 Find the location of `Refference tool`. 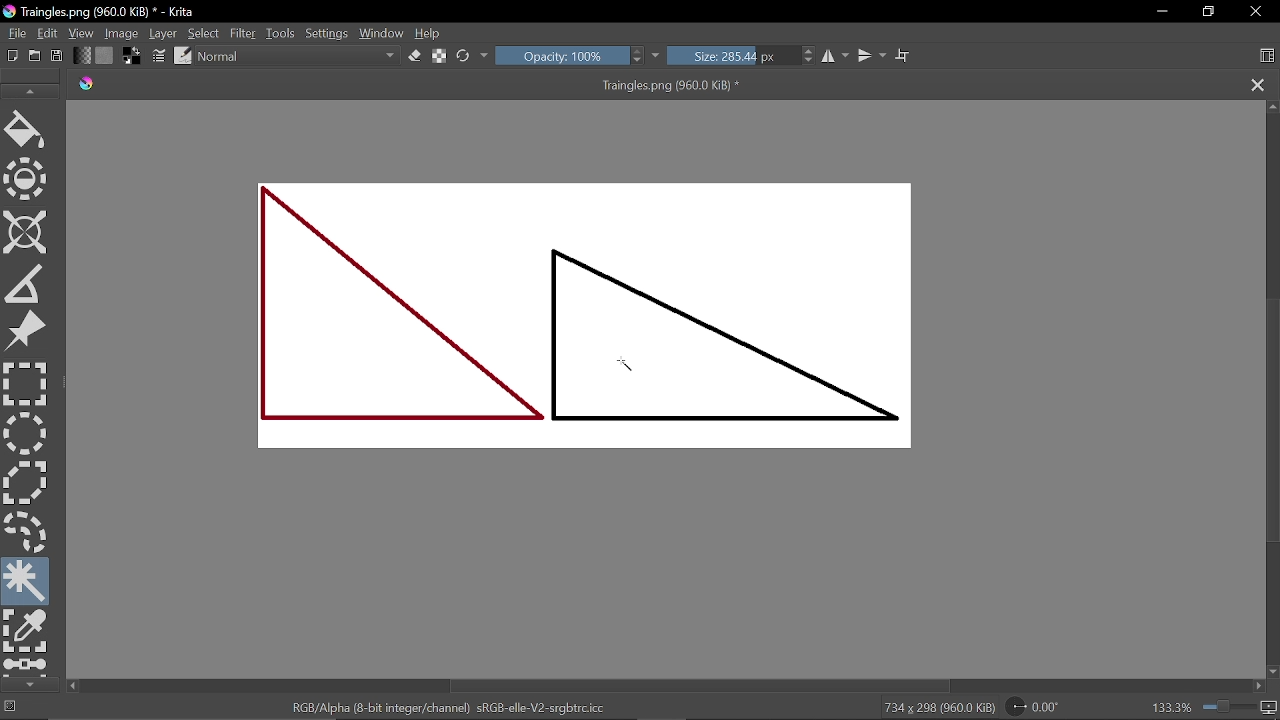

Refference tool is located at coordinates (26, 333).